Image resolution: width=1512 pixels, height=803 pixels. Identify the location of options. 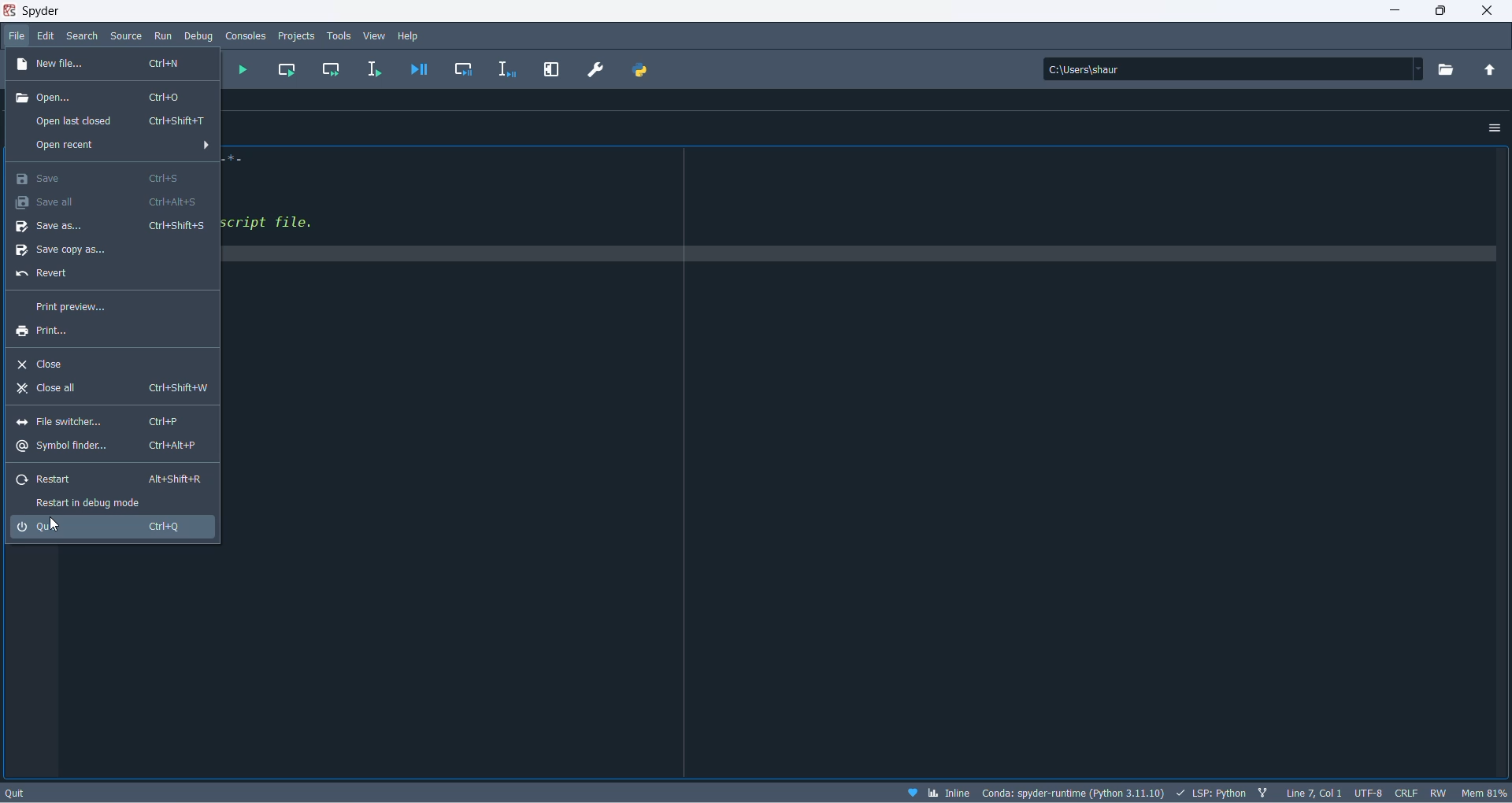
(1487, 126).